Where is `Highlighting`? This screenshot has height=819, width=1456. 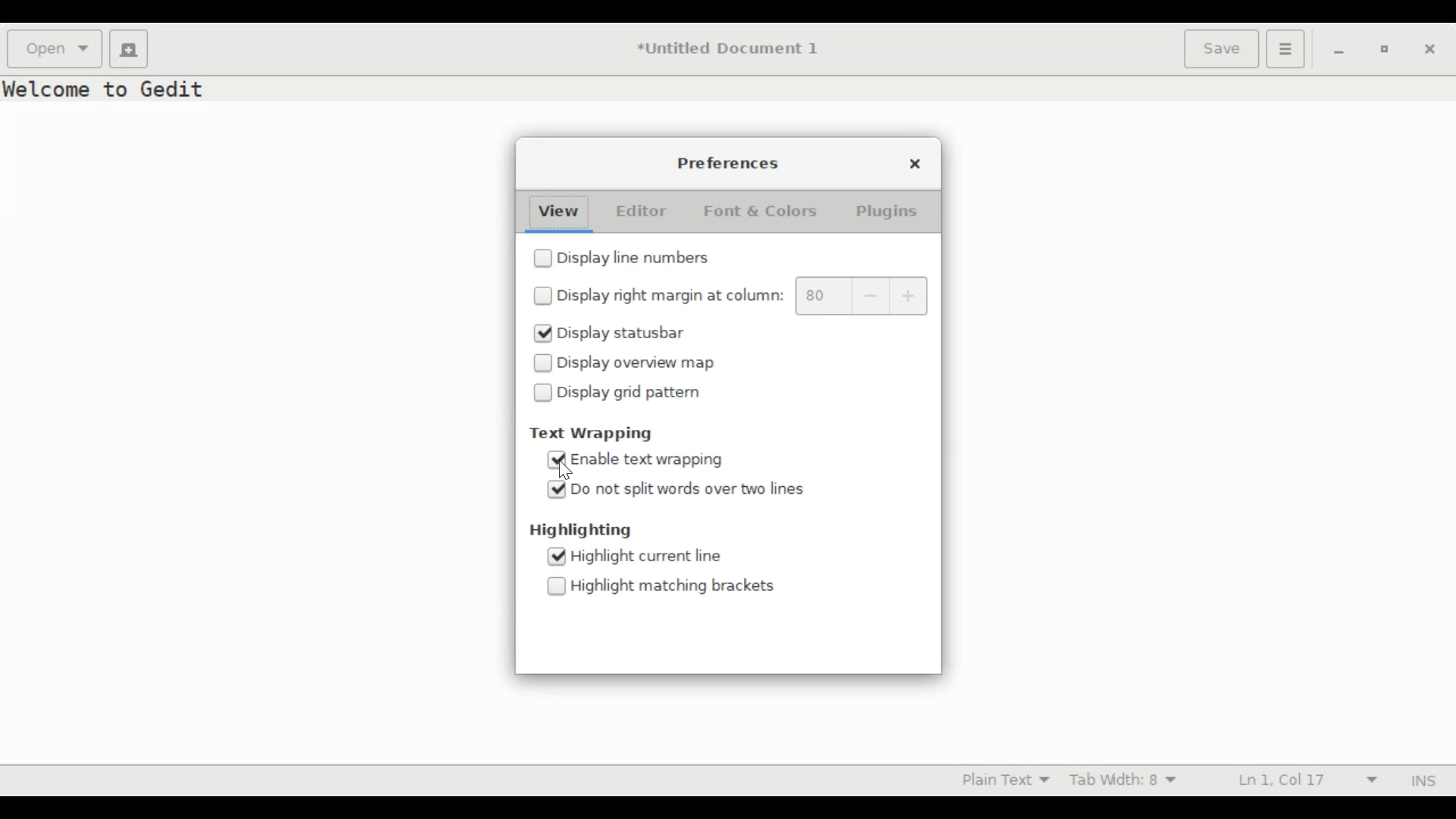 Highlighting is located at coordinates (580, 531).